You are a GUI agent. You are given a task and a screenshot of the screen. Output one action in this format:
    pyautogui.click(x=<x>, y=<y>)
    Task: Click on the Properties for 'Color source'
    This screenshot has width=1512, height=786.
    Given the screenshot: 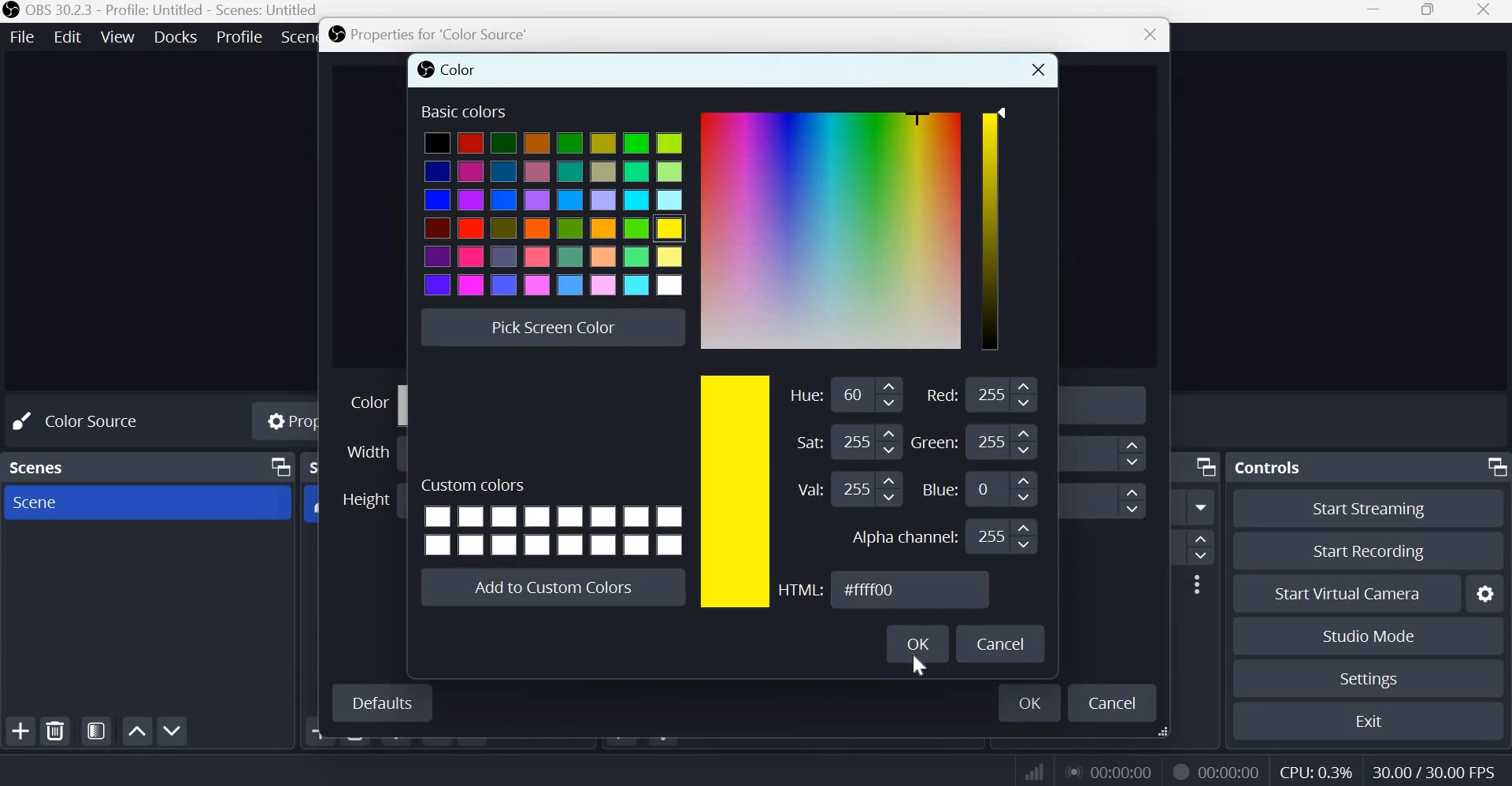 What is the action you would take?
    pyautogui.click(x=428, y=36)
    